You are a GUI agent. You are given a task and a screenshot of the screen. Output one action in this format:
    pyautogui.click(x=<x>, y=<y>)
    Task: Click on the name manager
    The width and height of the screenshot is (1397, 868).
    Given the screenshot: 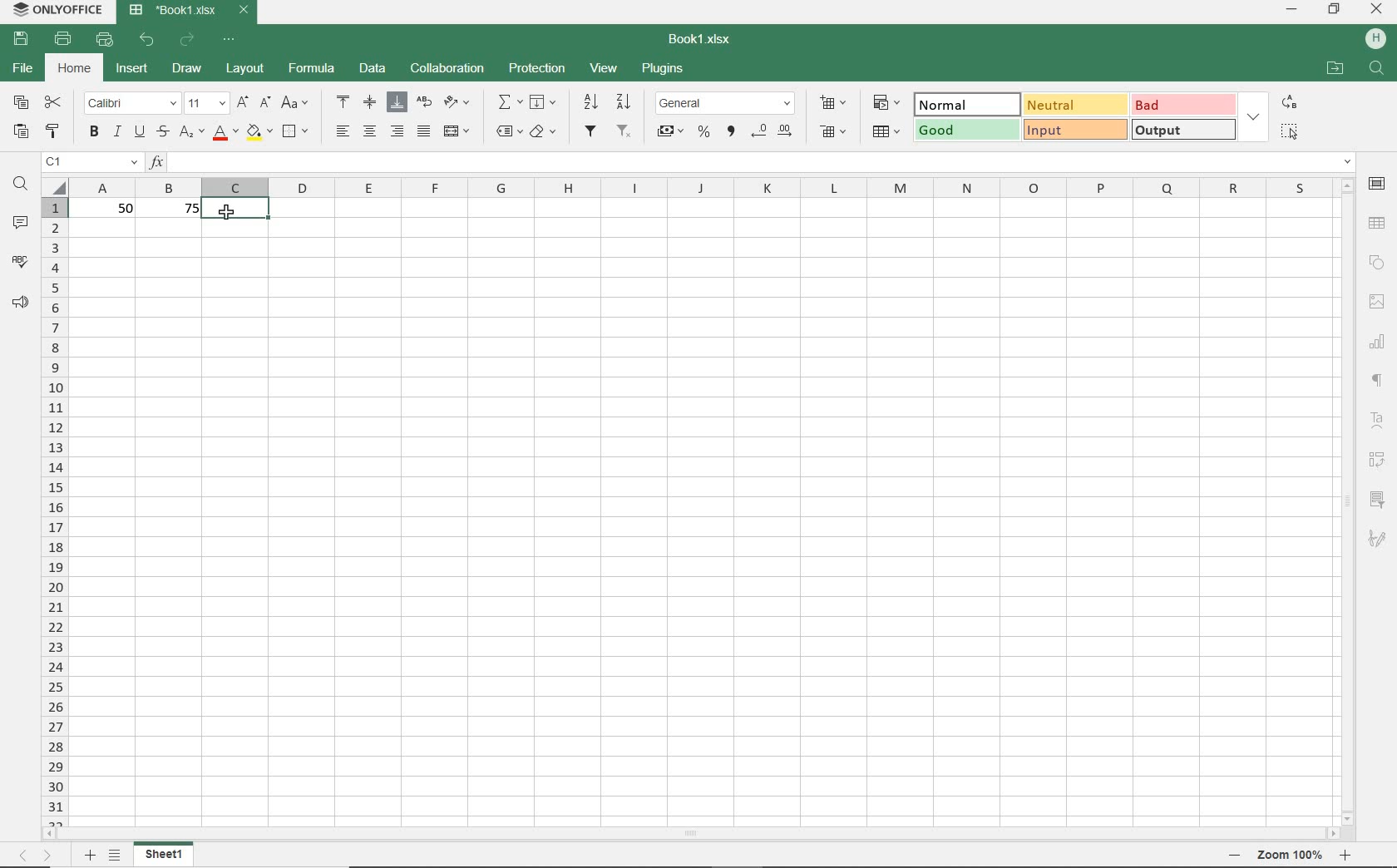 What is the action you would take?
    pyautogui.click(x=91, y=162)
    